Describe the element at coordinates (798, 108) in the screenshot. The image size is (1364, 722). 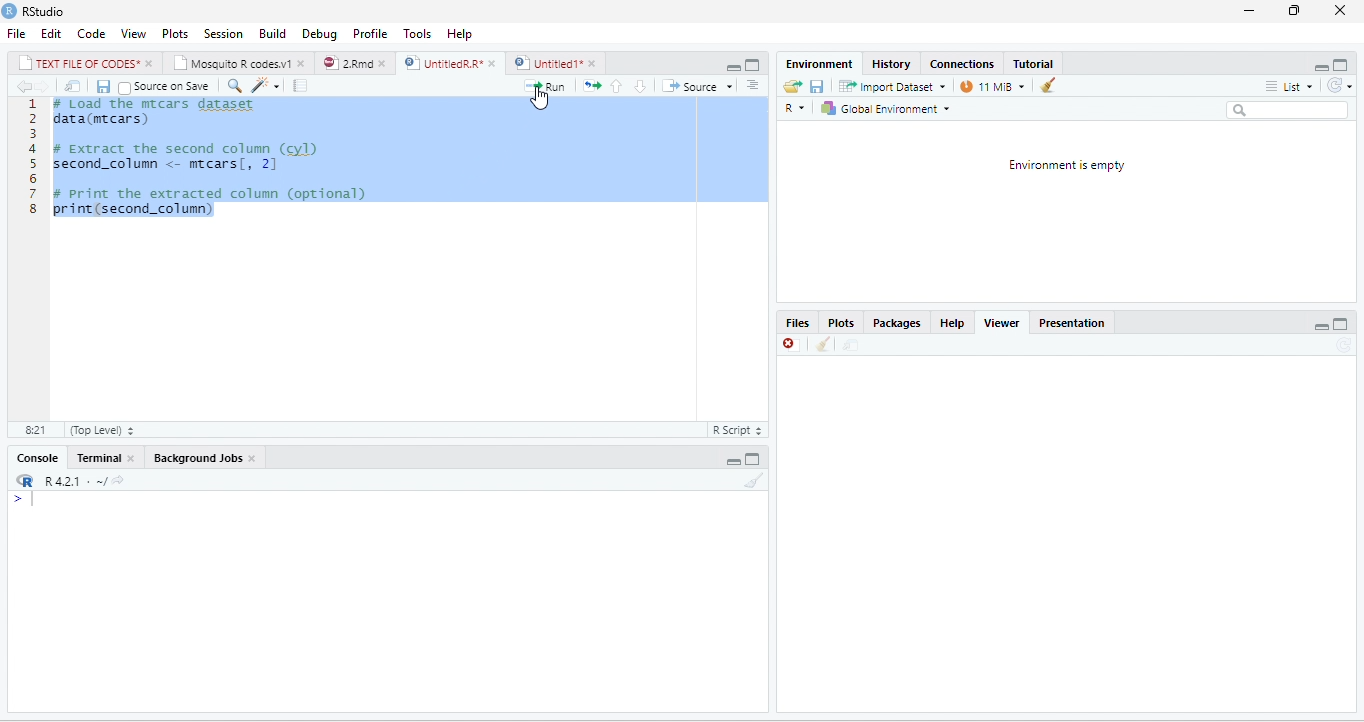
I see `R` at that location.